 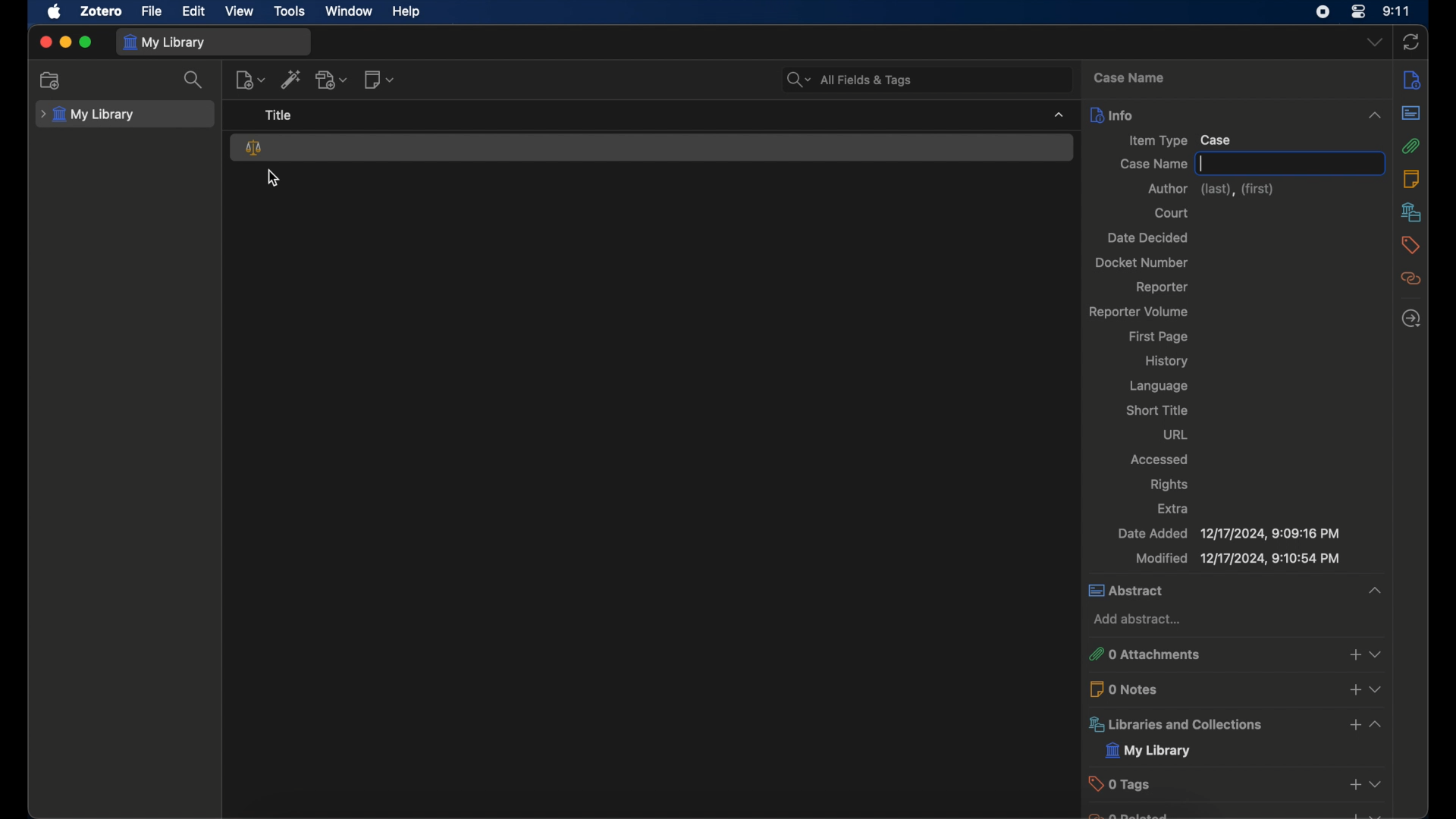 What do you see at coordinates (1178, 435) in the screenshot?
I see `url` at bounding box center [1178, 435].